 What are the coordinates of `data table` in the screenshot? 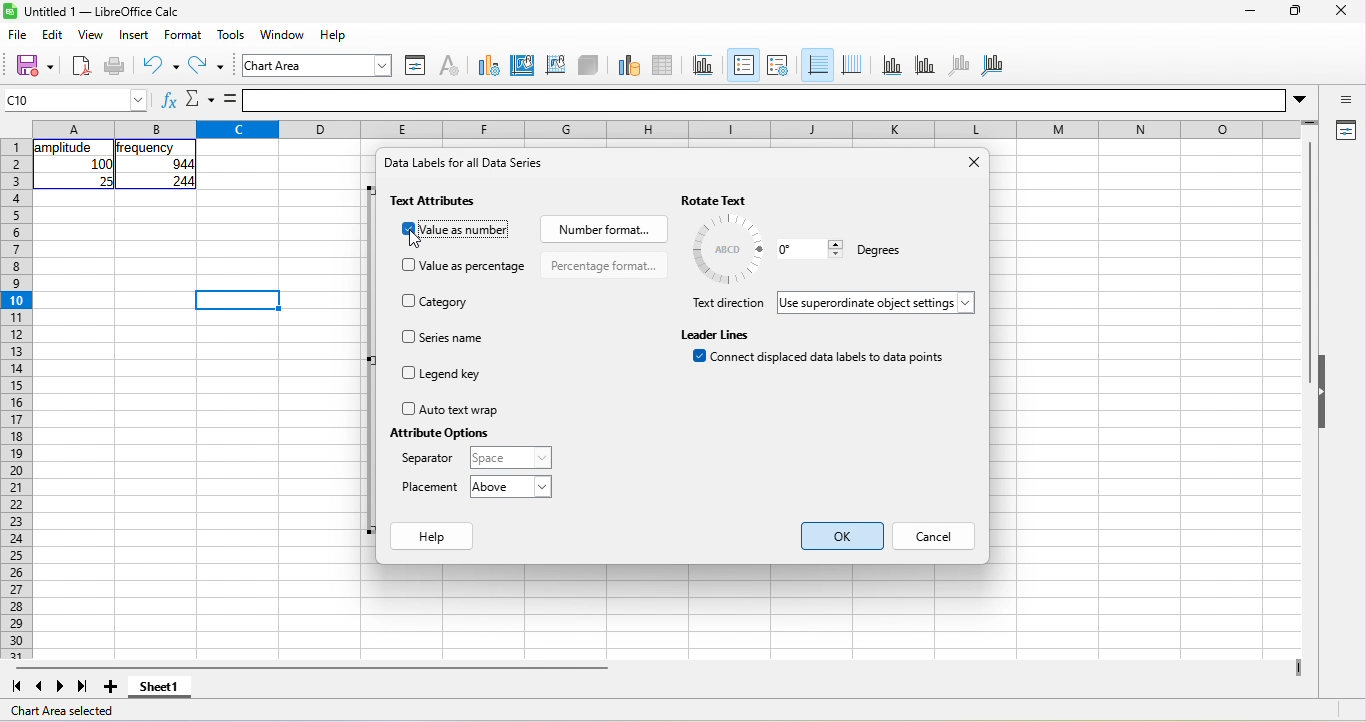 It's located at (670, 63).